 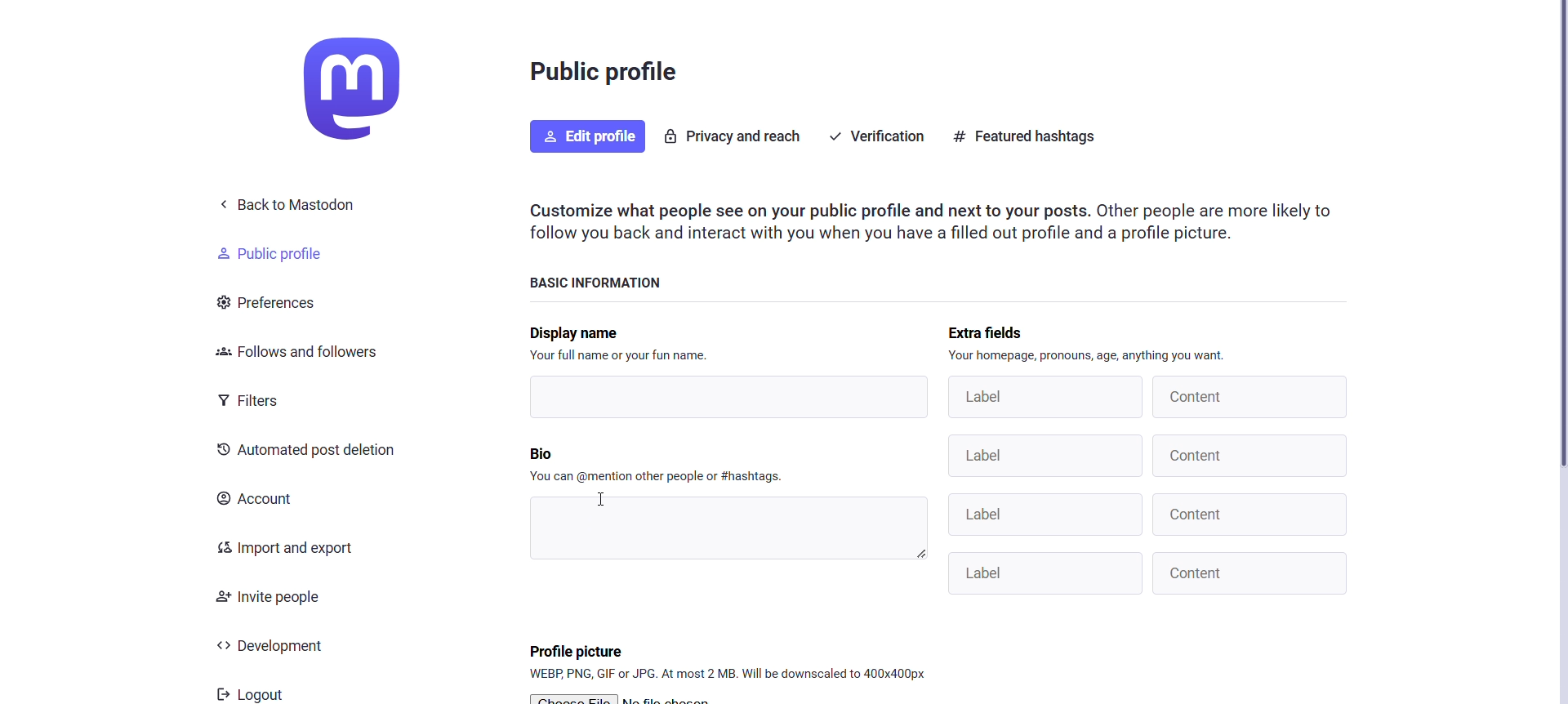 I want to click on Extra fields, so click(x=1001, y=329).